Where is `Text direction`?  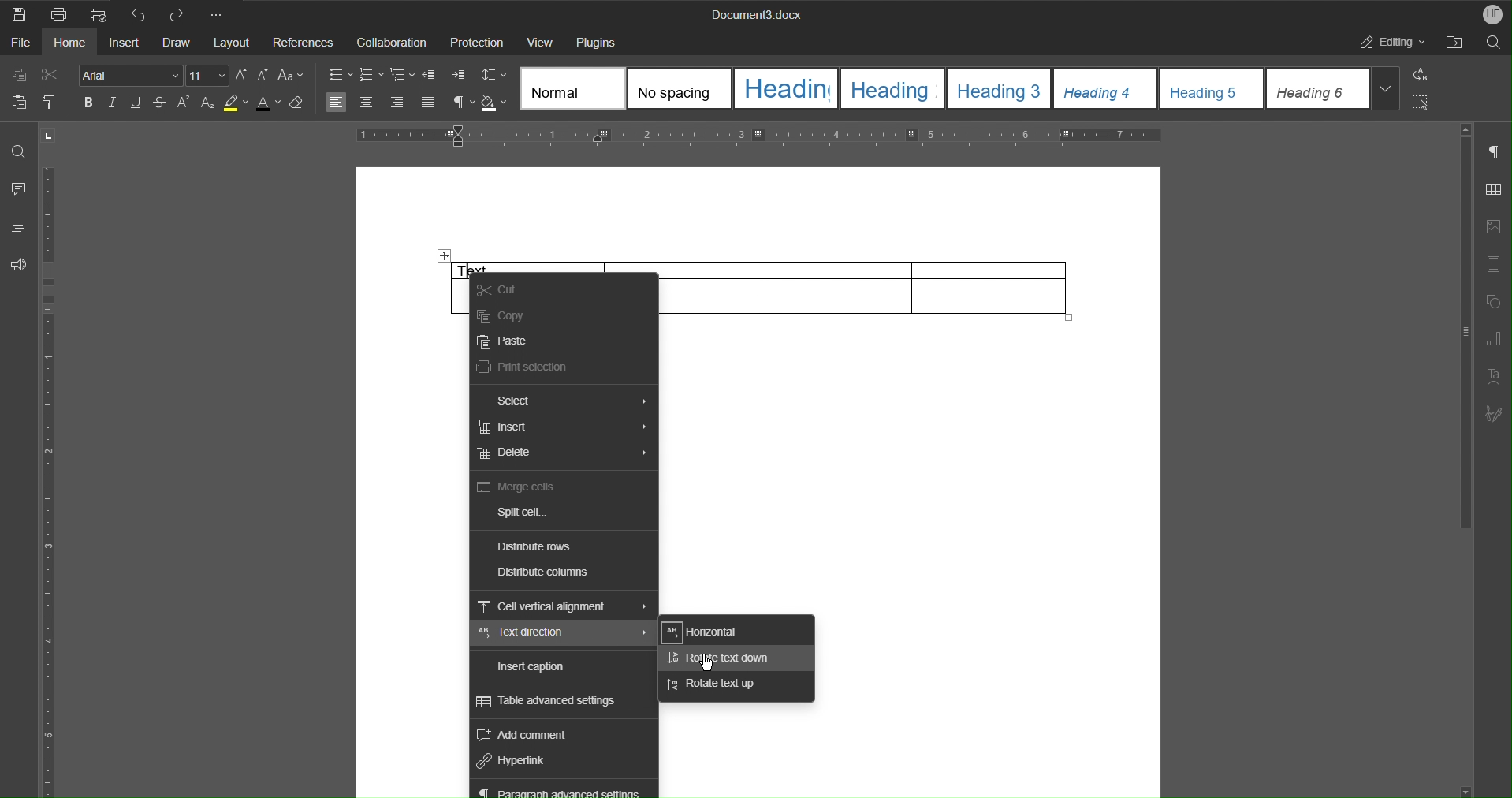
Text direction is located at coordinates (529, 634).